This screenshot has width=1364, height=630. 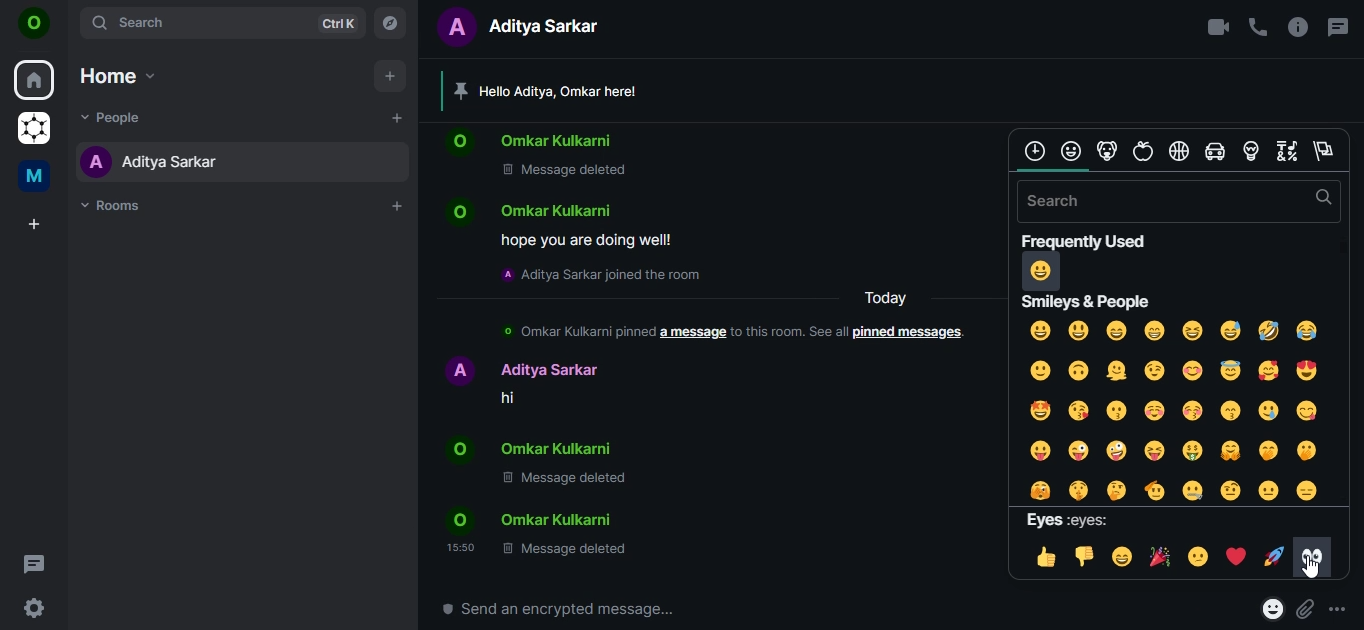 What do you see at coordinates (1177, 149) in the screenshot?
I see `sports` at bounding box center [1177, 149].